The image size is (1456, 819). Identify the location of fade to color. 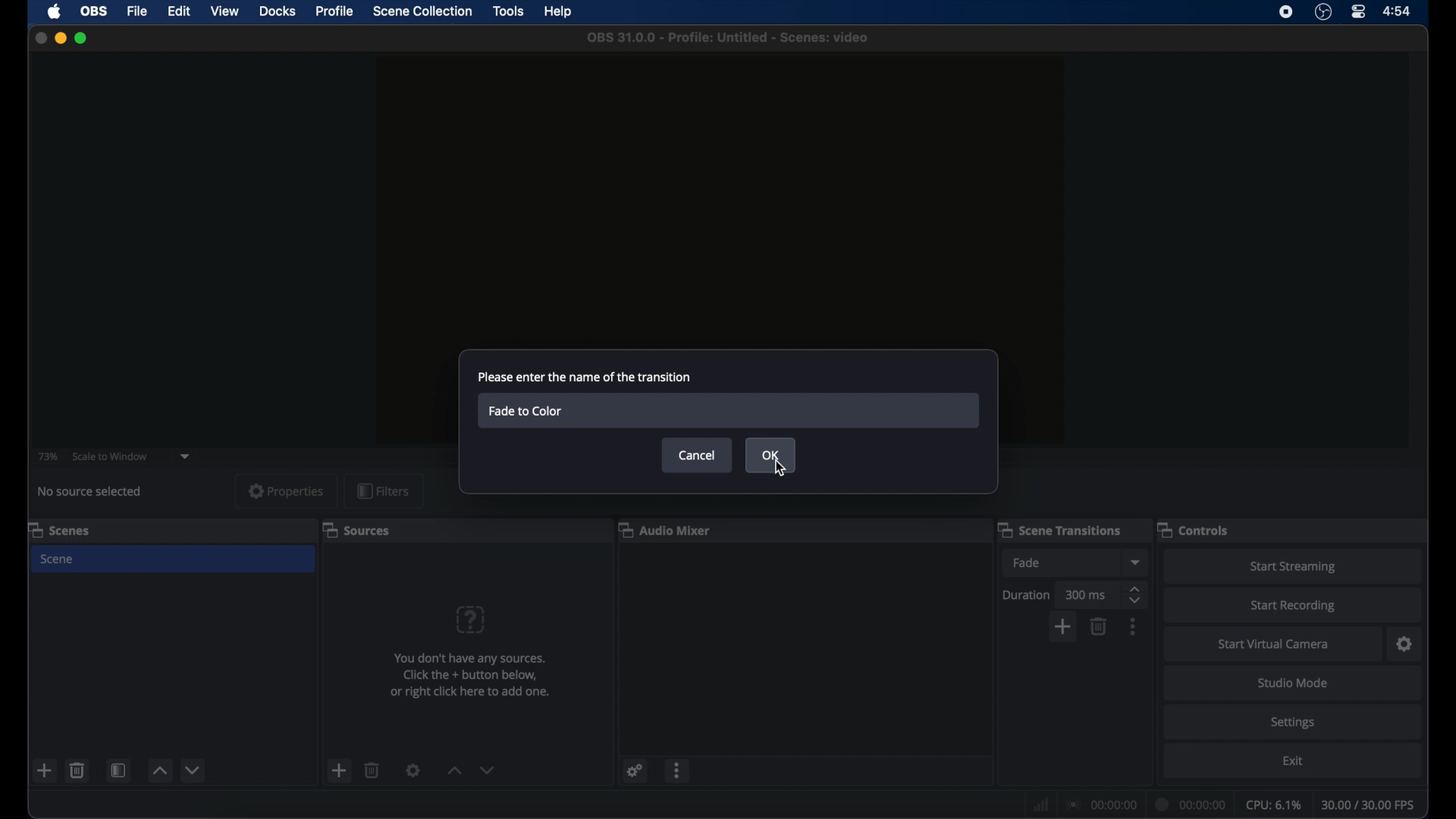
(525, 411).